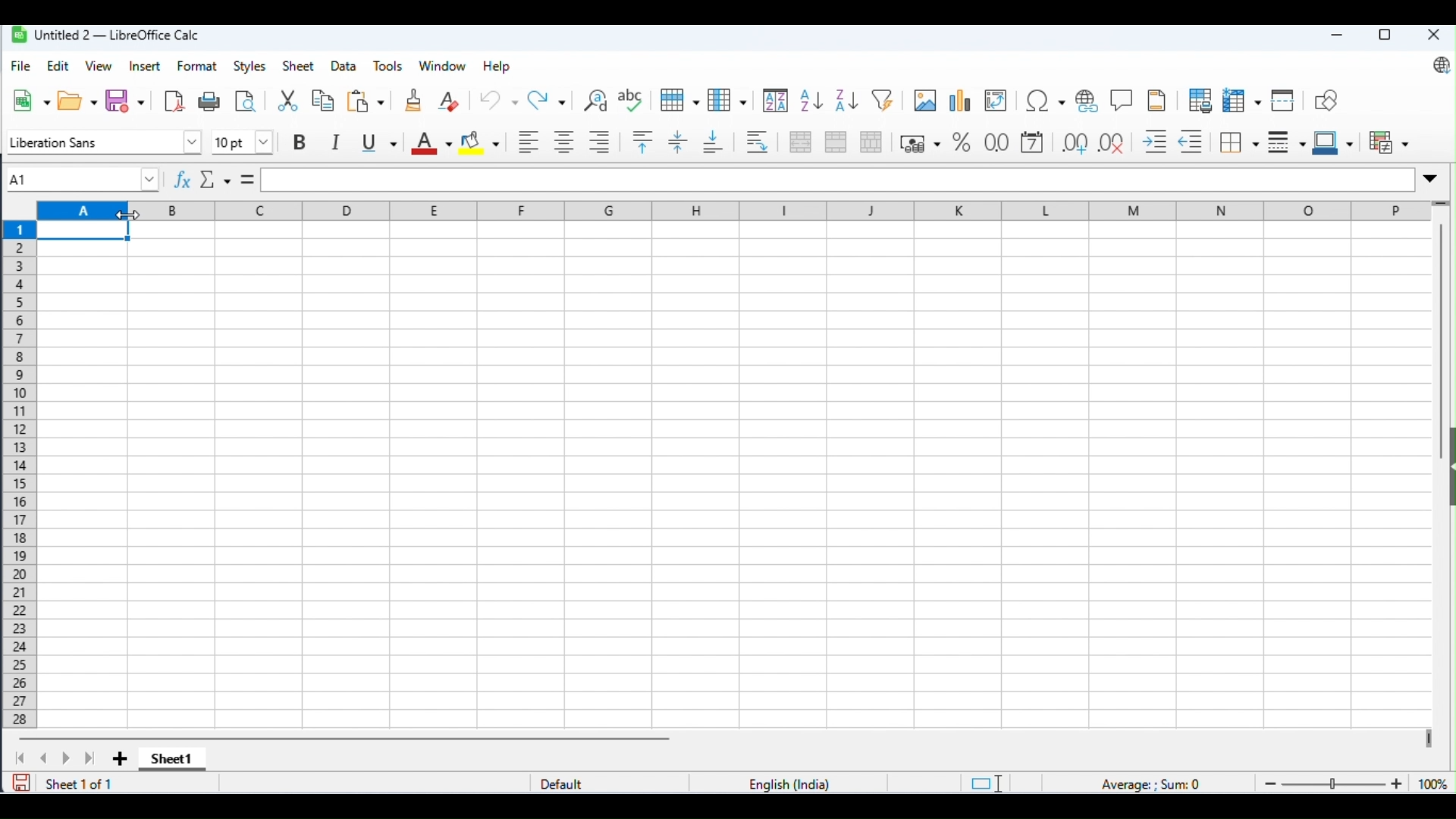  I want to click on insert hyperlink, so click(1122, 99).